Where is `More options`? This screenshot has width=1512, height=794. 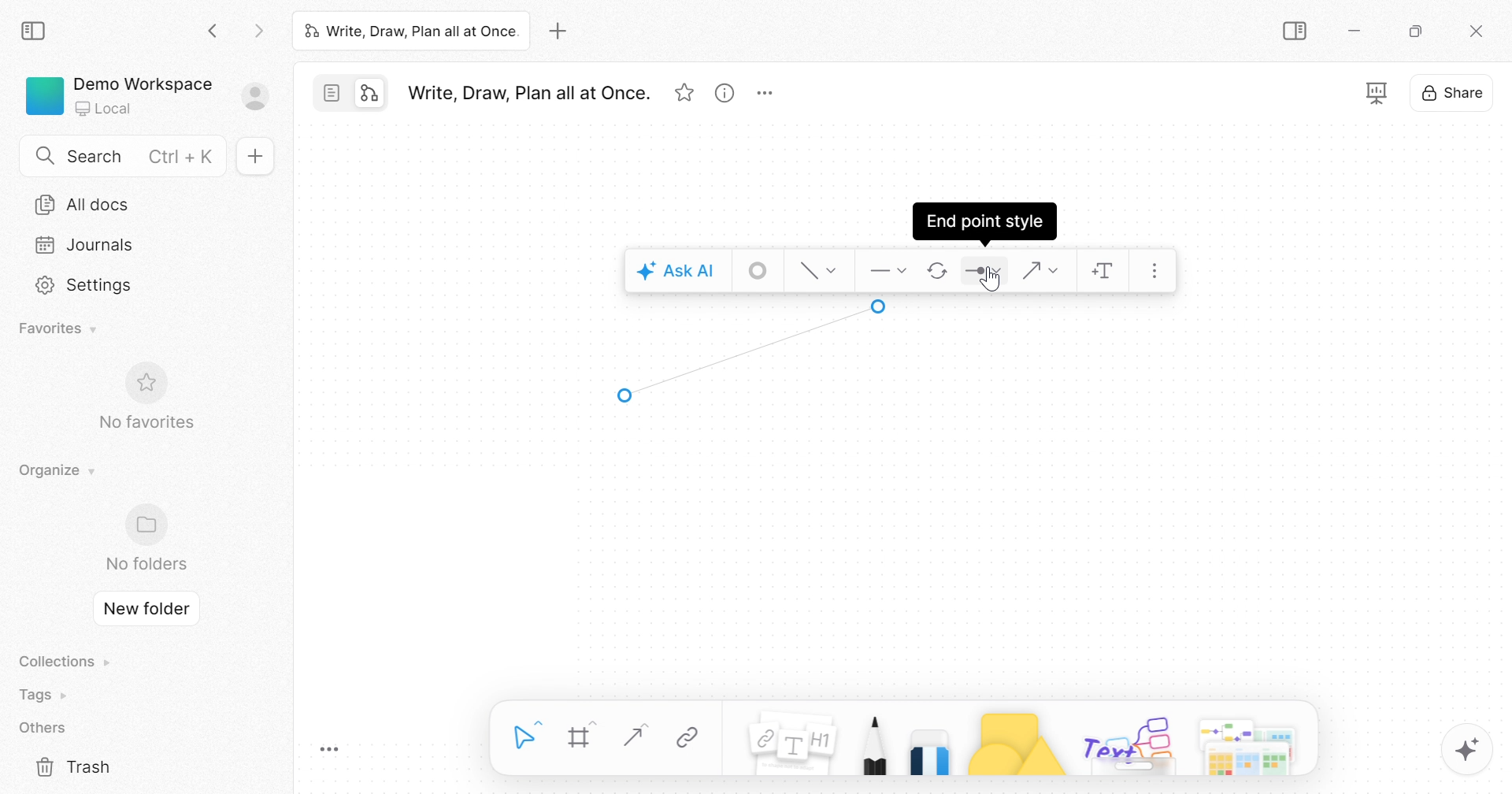
More options is located at coordinates (1250, 743).